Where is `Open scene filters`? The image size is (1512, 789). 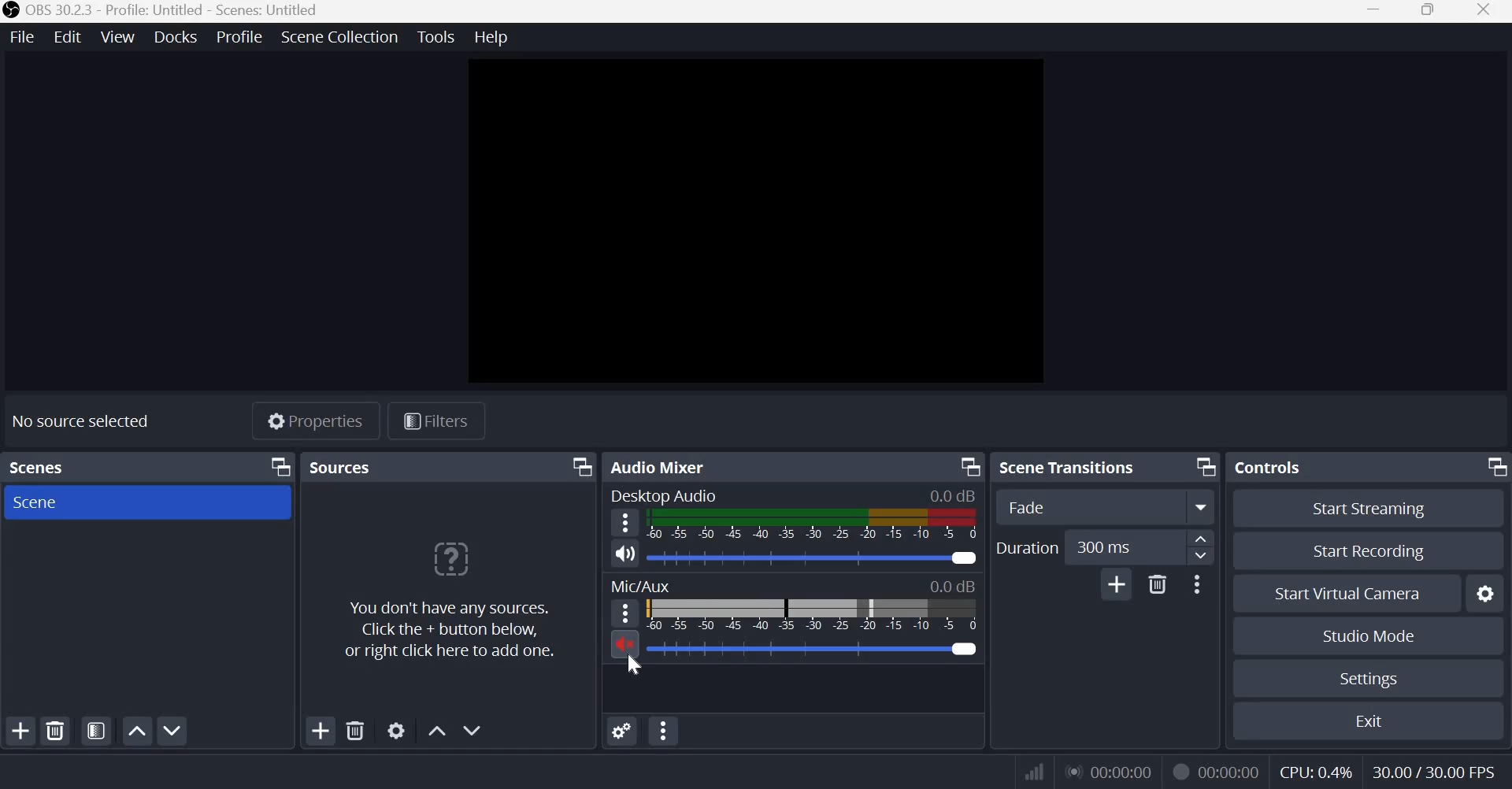 Open scene filters is located at coordinates (96, 730).